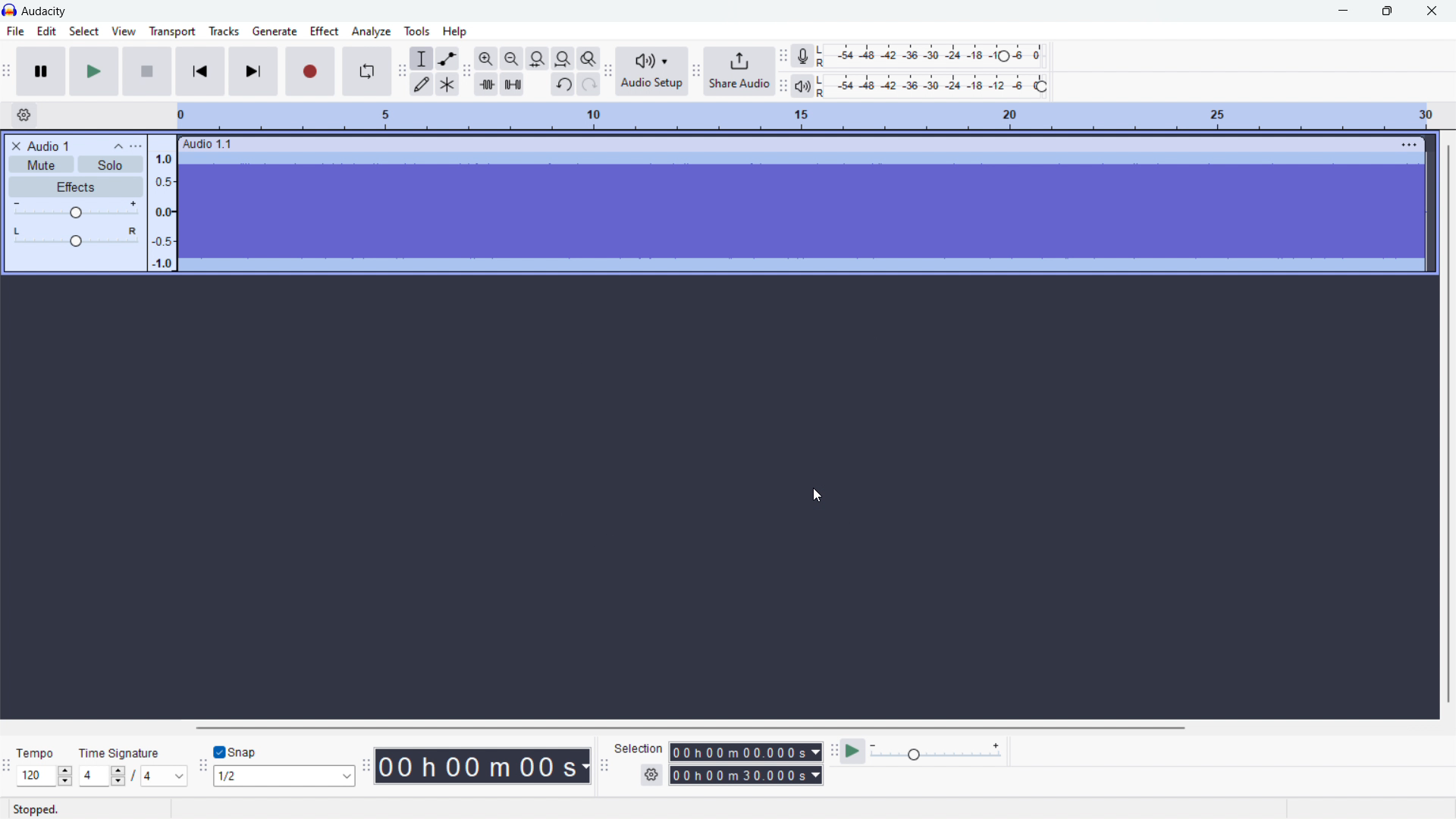 Image resolution: width=1456 pixels, height=819 pixels. What do you see at coordinates (366, 71) in the screenshot?
I see `enable loop` at bounding box center [366, 71].